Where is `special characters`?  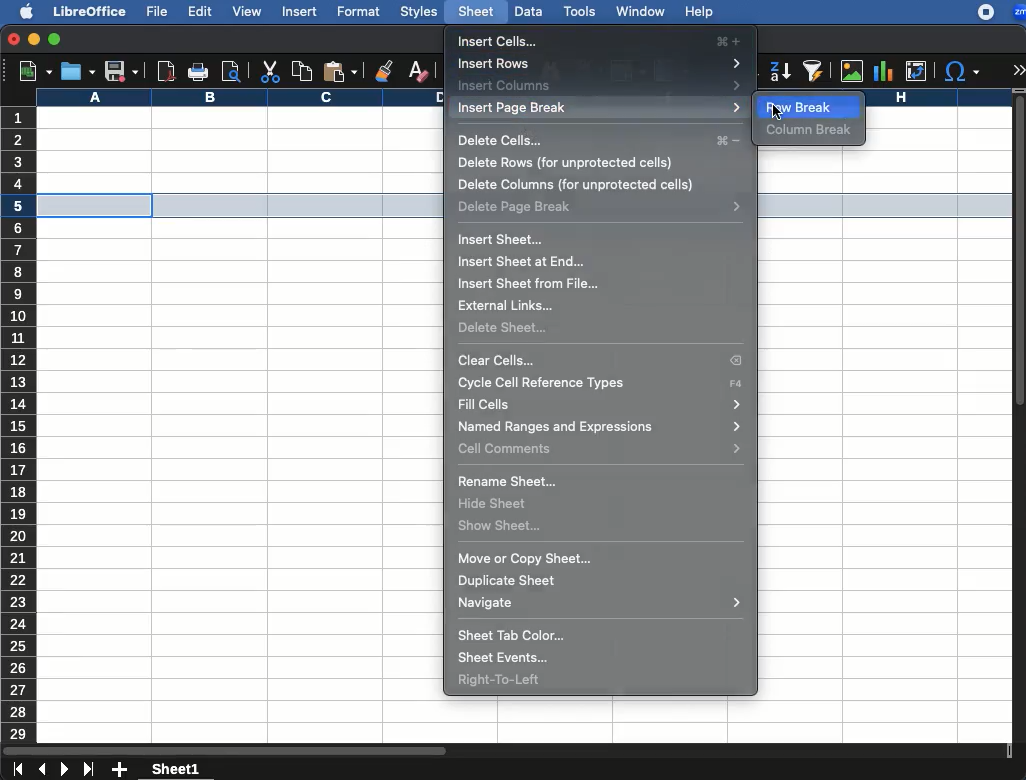 special characters is located at coordinates (961, 72).